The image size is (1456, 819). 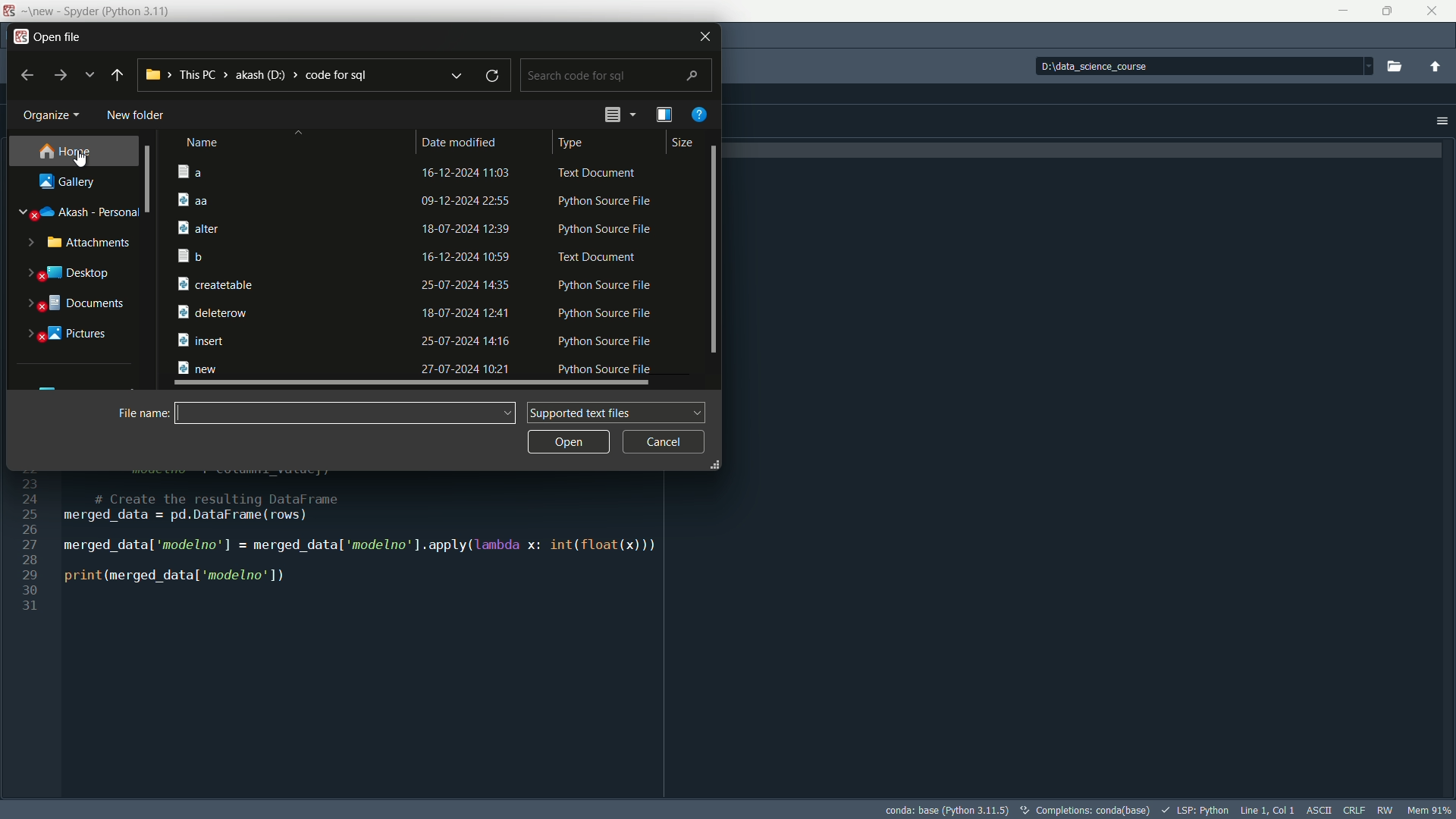 What do you see at coordinates (466, 256) in the screenshot?
I see `timestamp` at bounding box center [466, 256].